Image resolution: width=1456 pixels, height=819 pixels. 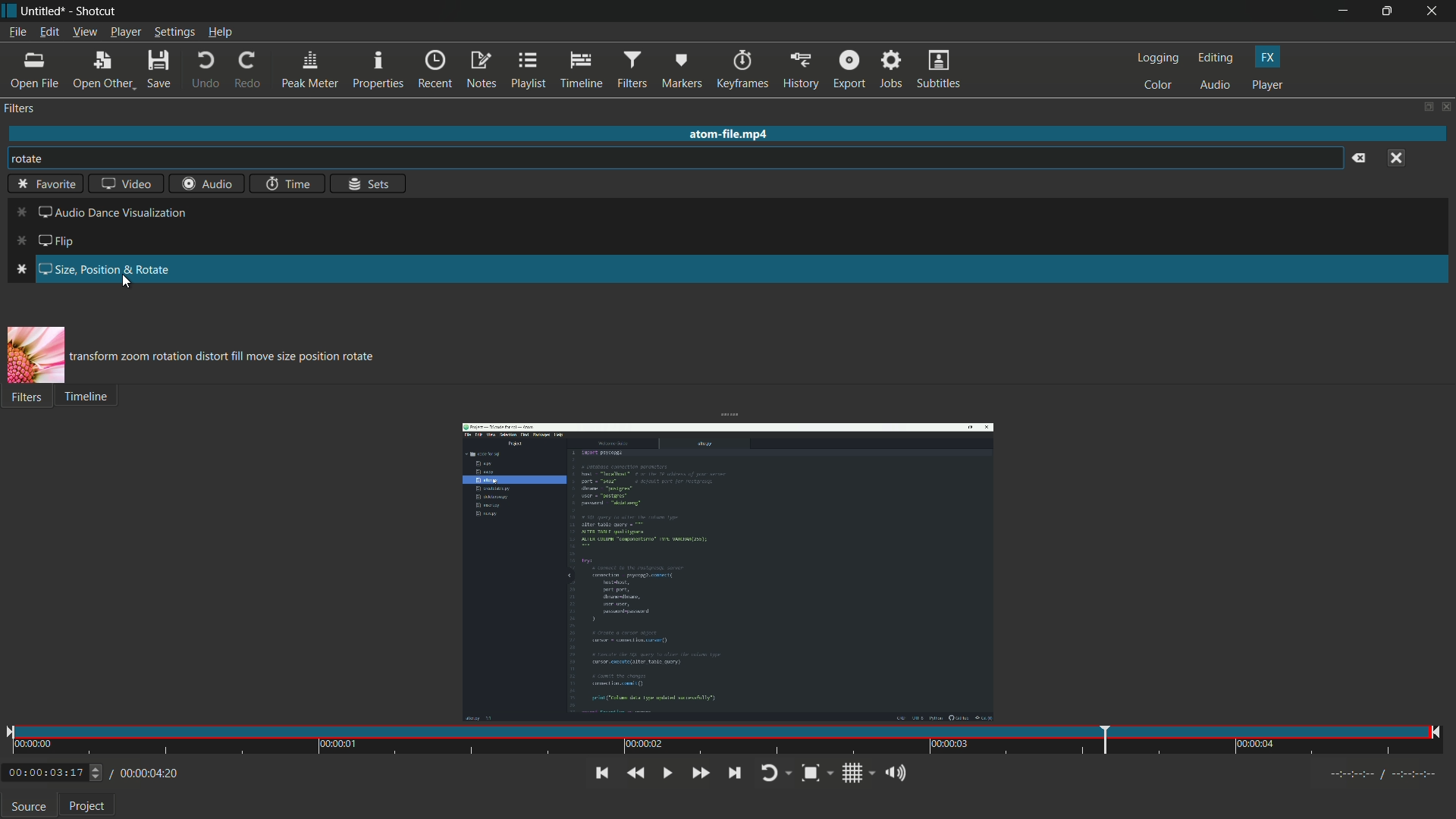 What do you see at coordinates (774, 773) in the screenshot?
I see `toggle player looping` at bounding box center [774, 773].